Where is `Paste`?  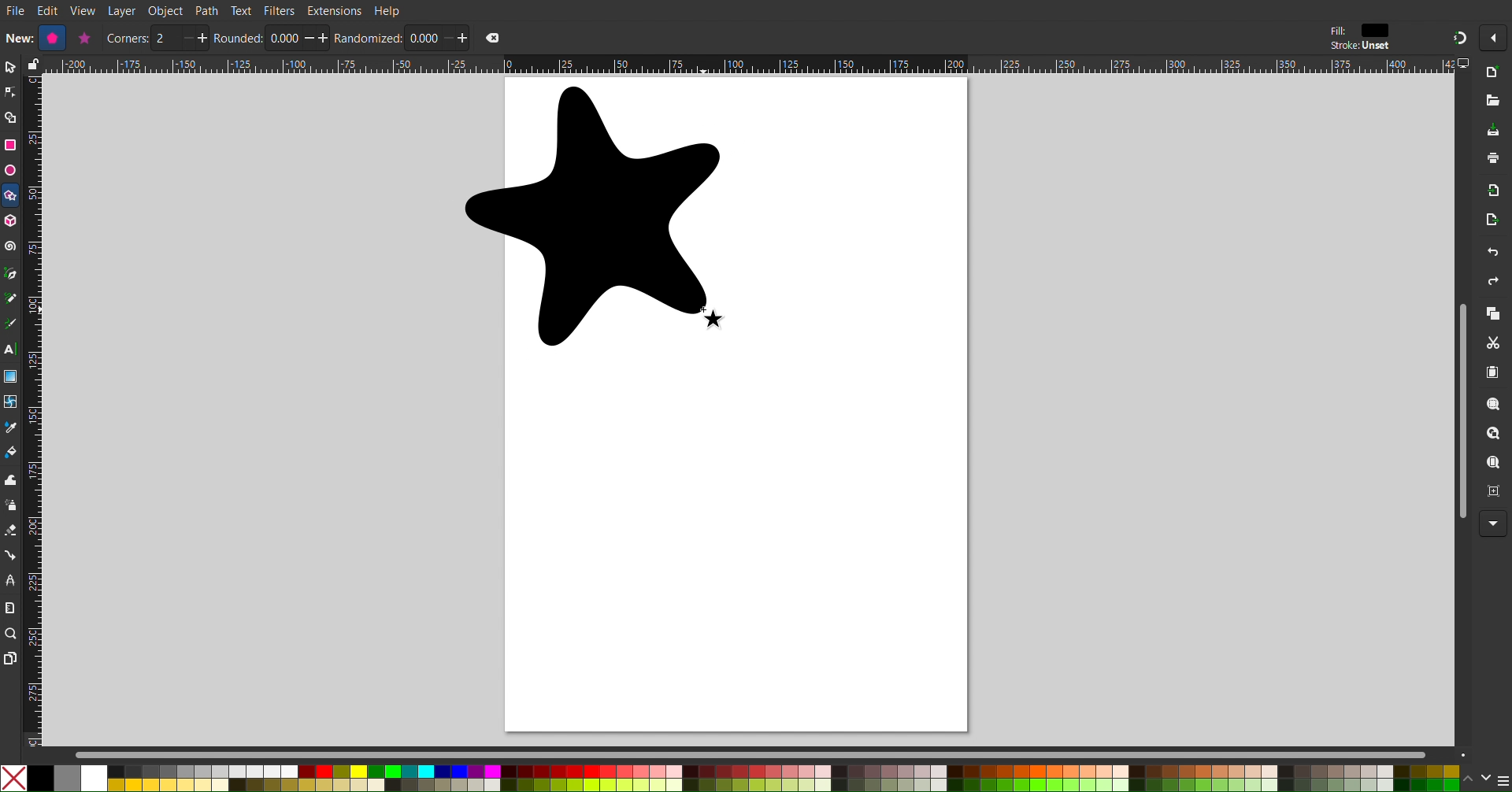
Paste is located at coordinates (1494, 373).